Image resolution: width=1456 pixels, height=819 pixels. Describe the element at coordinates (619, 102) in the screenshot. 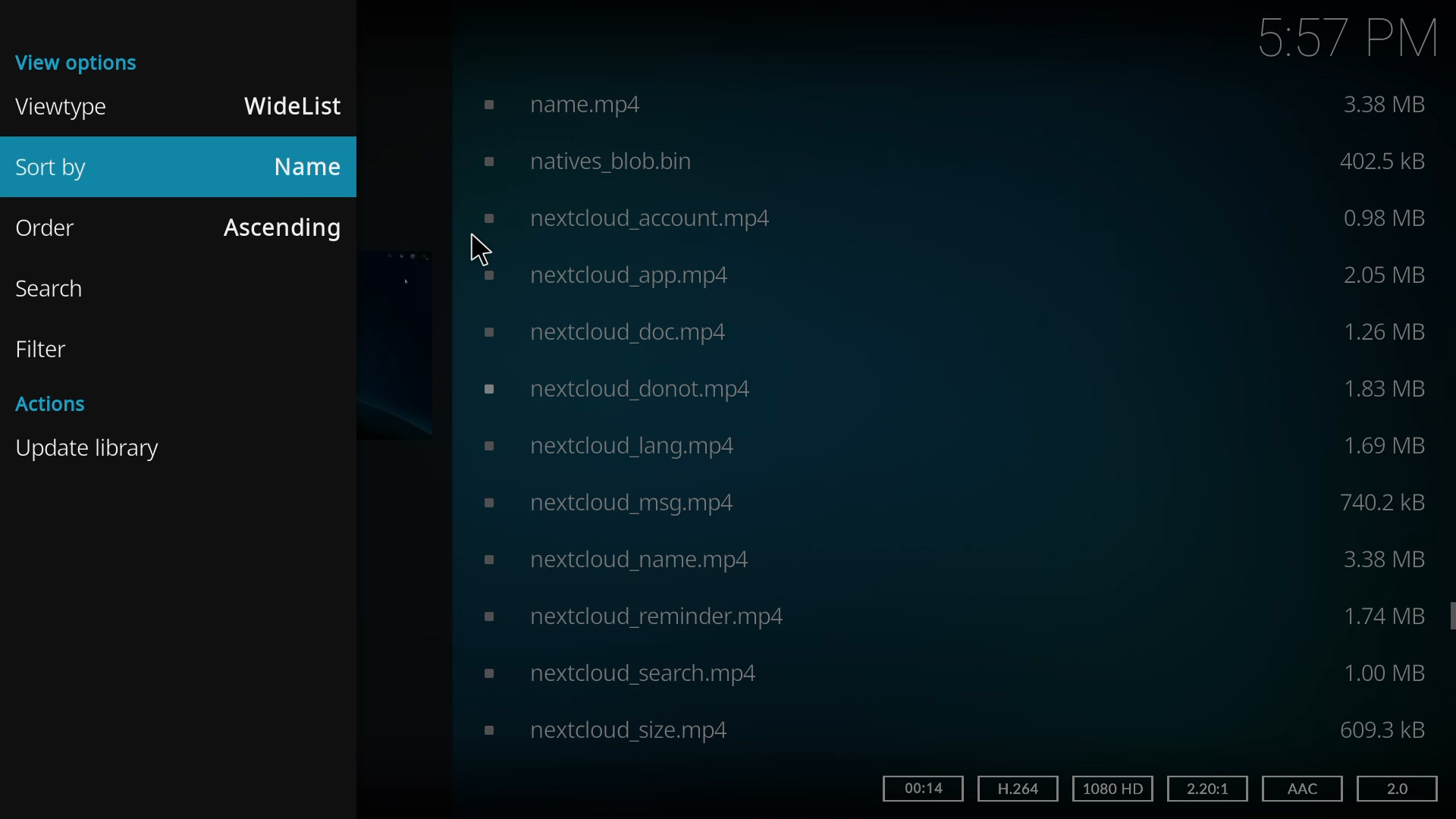

I see `video` at that location.